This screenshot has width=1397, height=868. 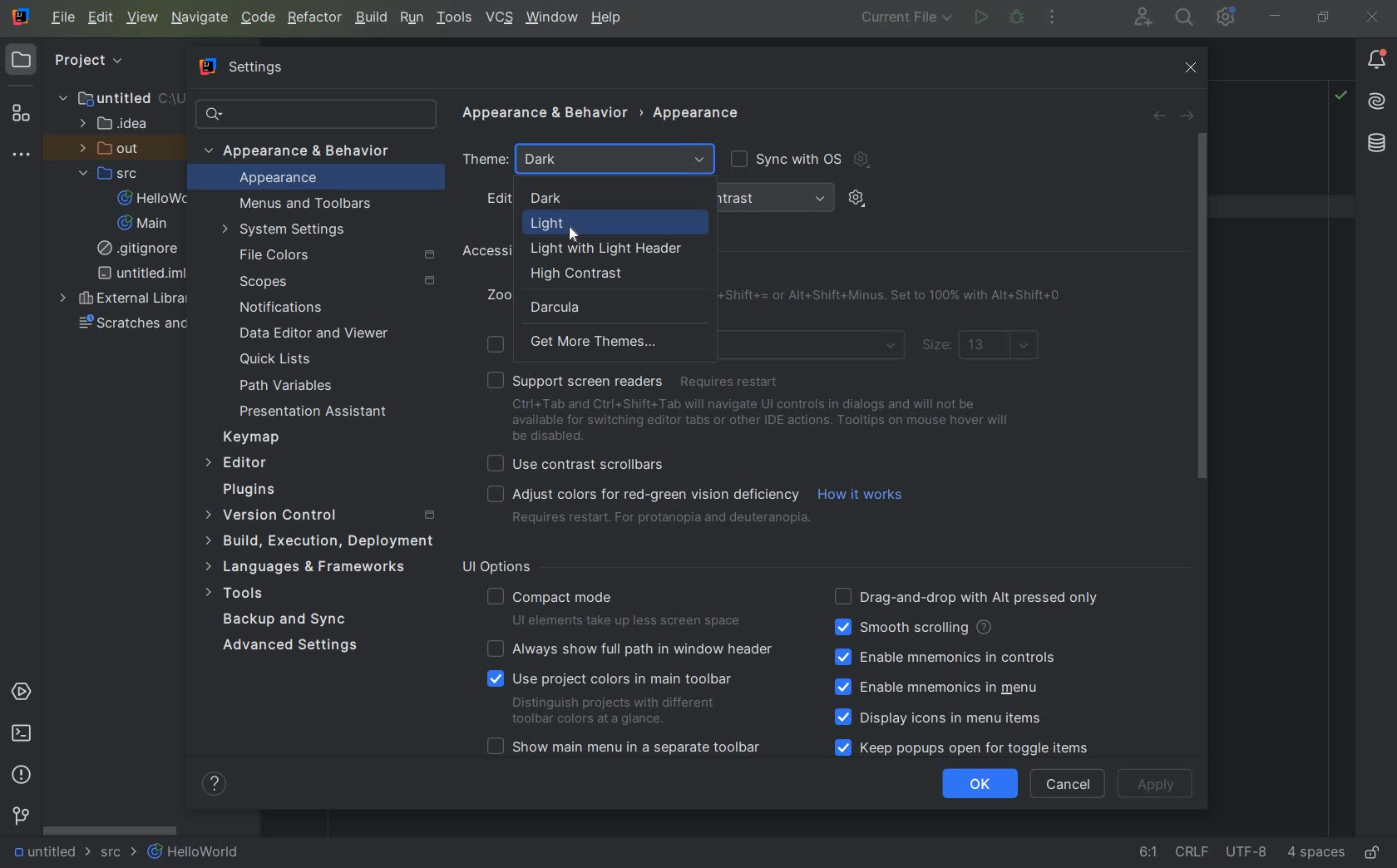 I want to click on NAVIGATE, so click(x=200, y=17).